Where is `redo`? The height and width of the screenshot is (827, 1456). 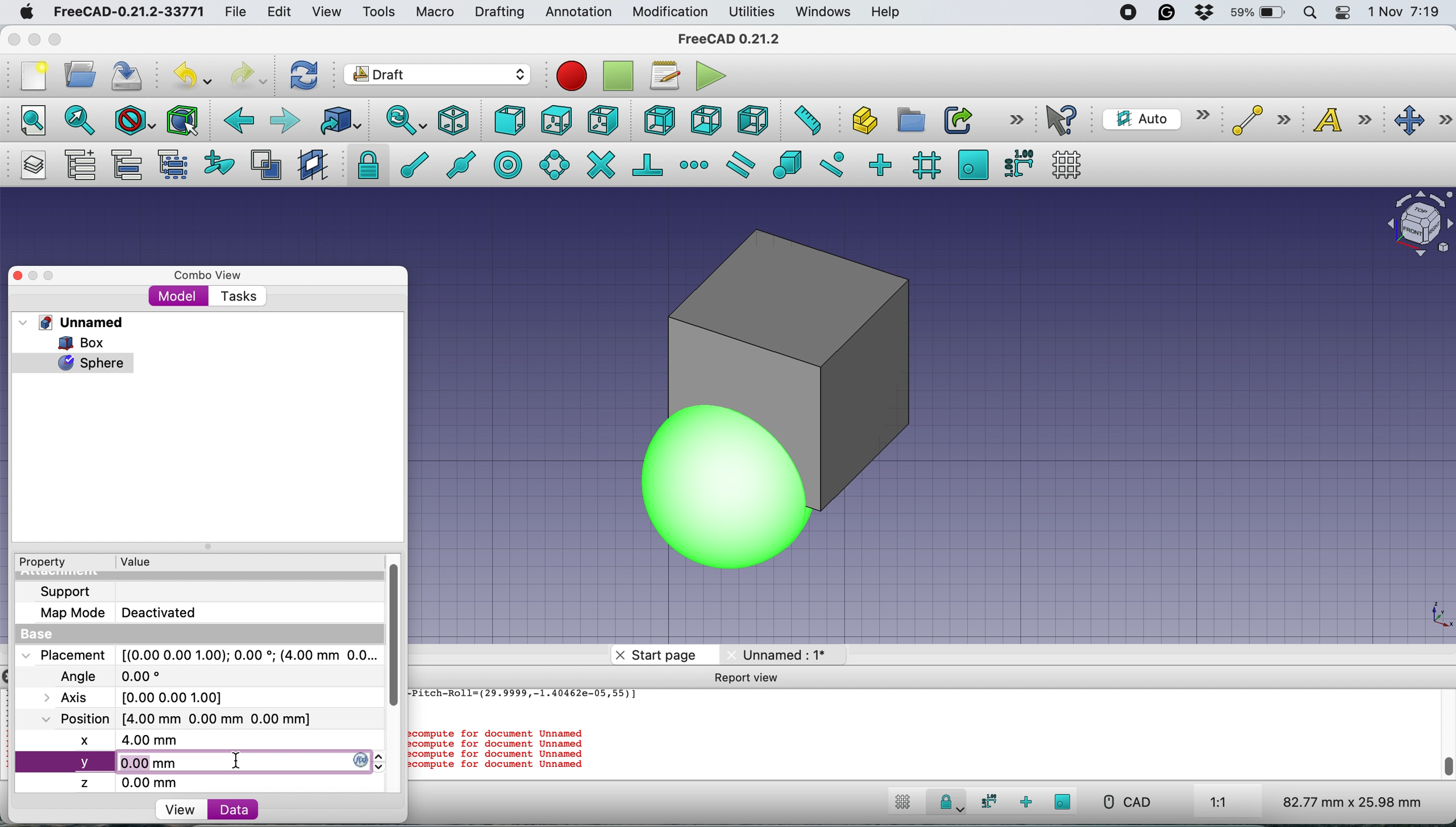
redo is located at coordinates (249, 74).